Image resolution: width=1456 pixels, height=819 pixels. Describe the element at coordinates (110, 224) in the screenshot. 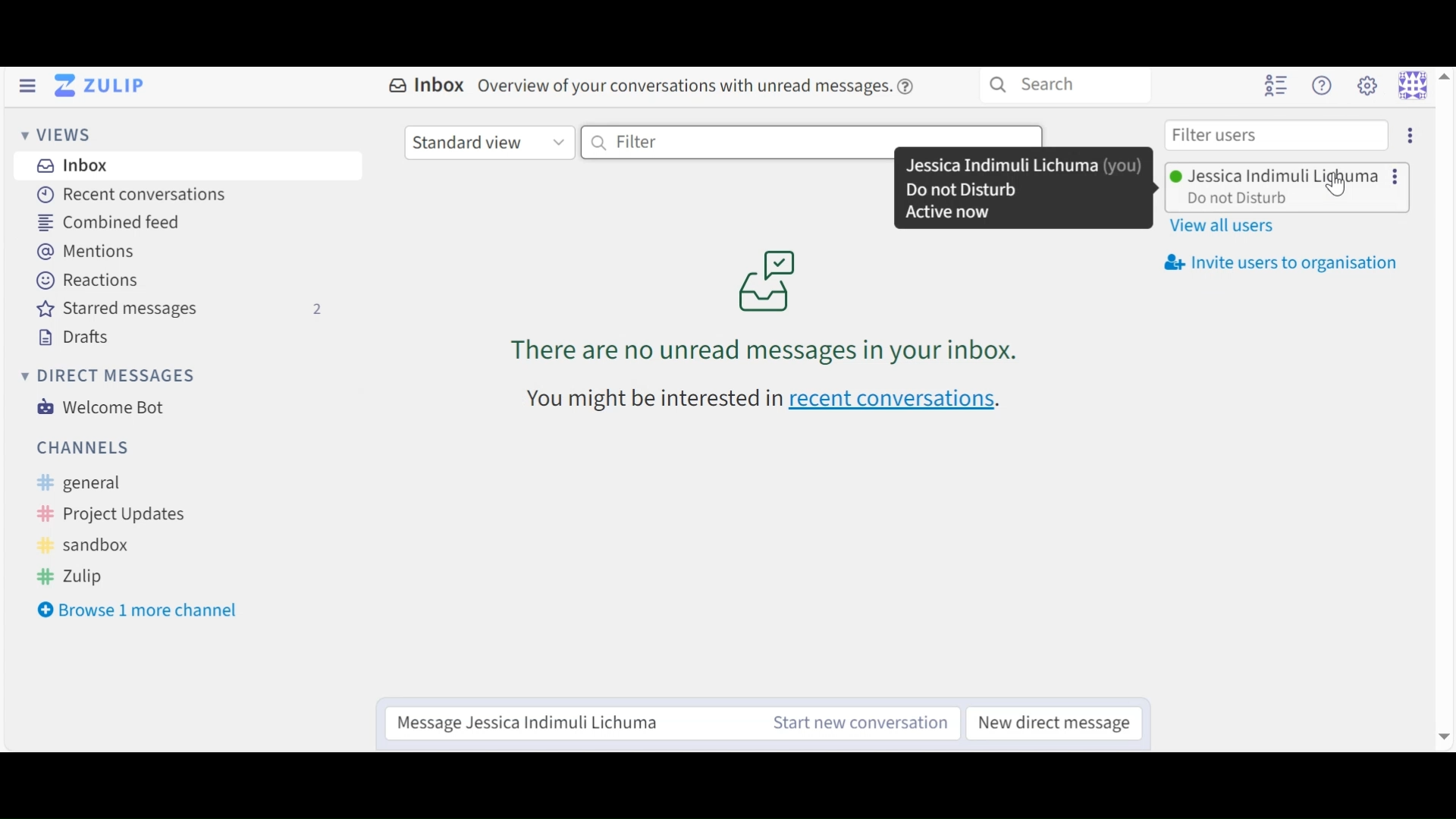

I see `Combined feed` at that location.